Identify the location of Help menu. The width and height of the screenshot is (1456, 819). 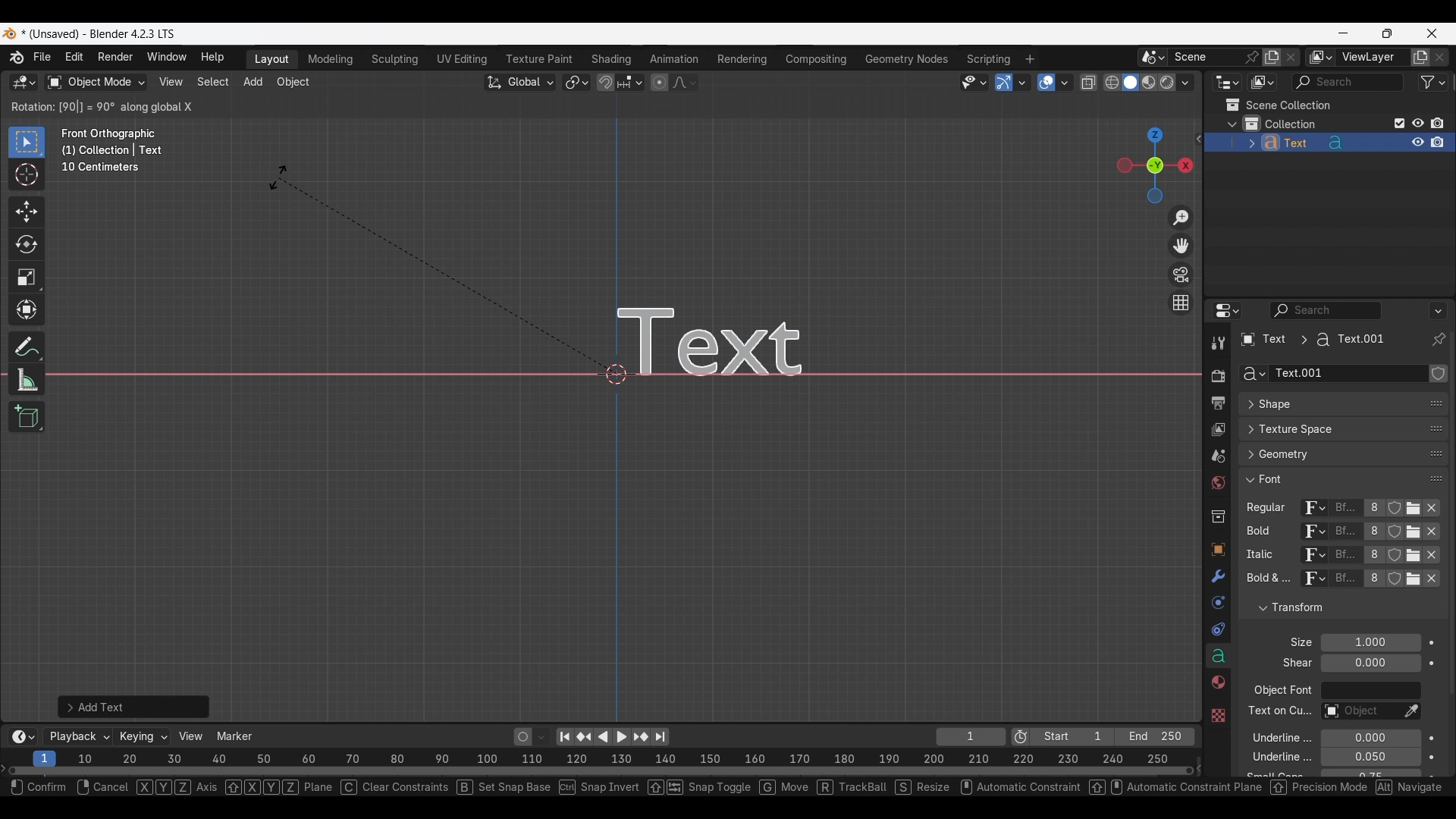
(211, 58).